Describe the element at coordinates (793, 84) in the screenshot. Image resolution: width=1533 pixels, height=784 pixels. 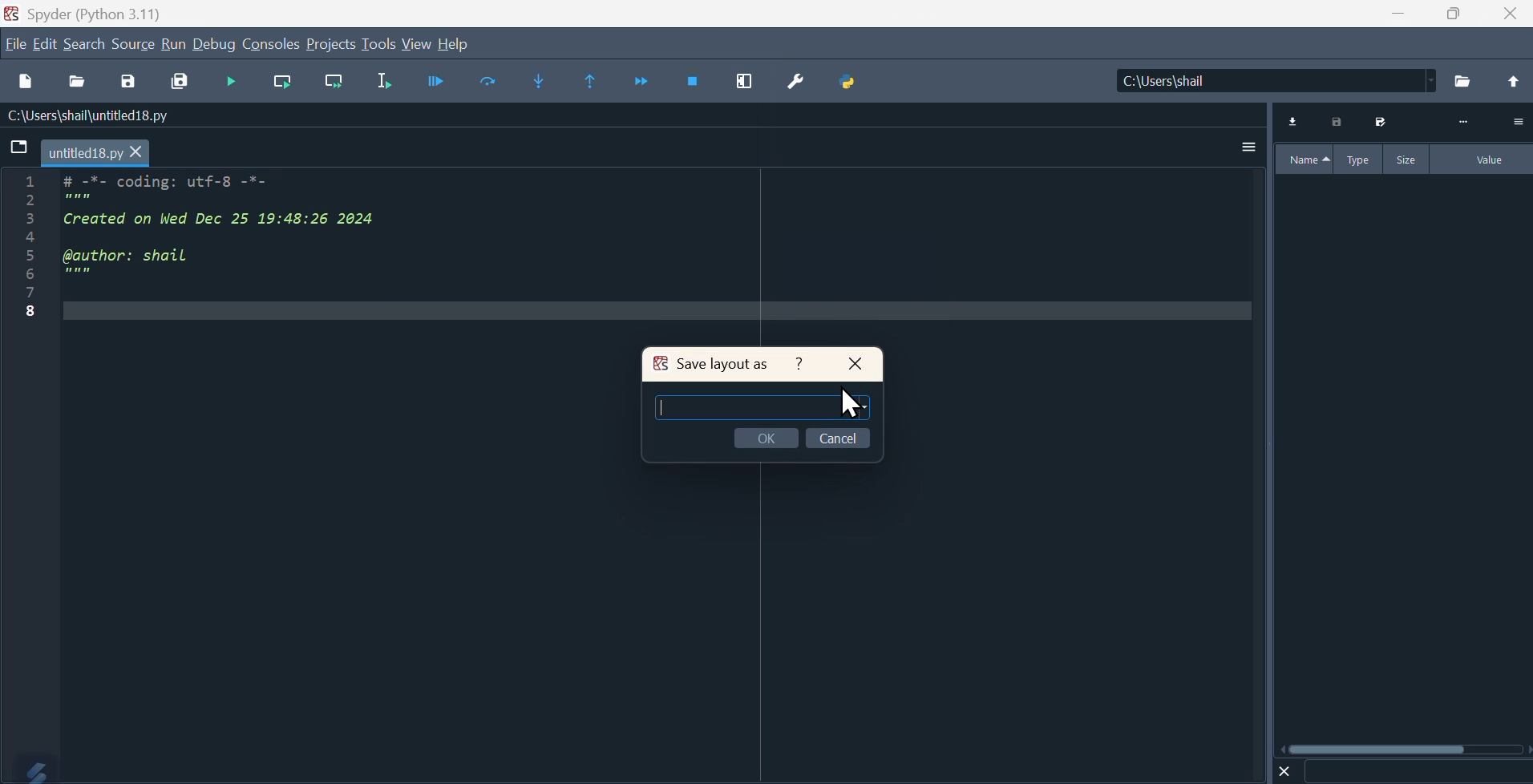
I see `Preferences` at that location.